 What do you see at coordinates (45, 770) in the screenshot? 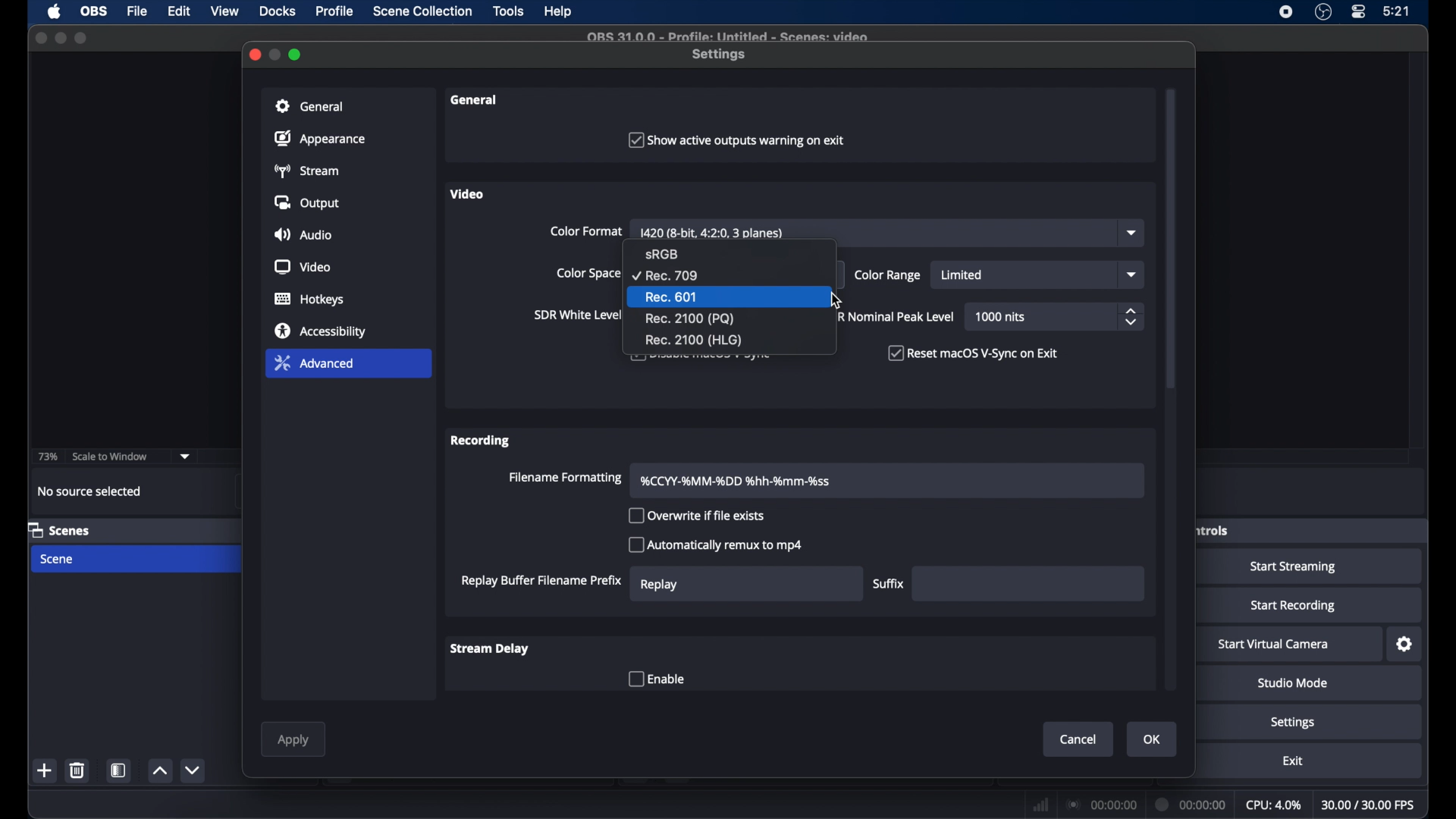
I see `add` at bounding box center [45, 770].